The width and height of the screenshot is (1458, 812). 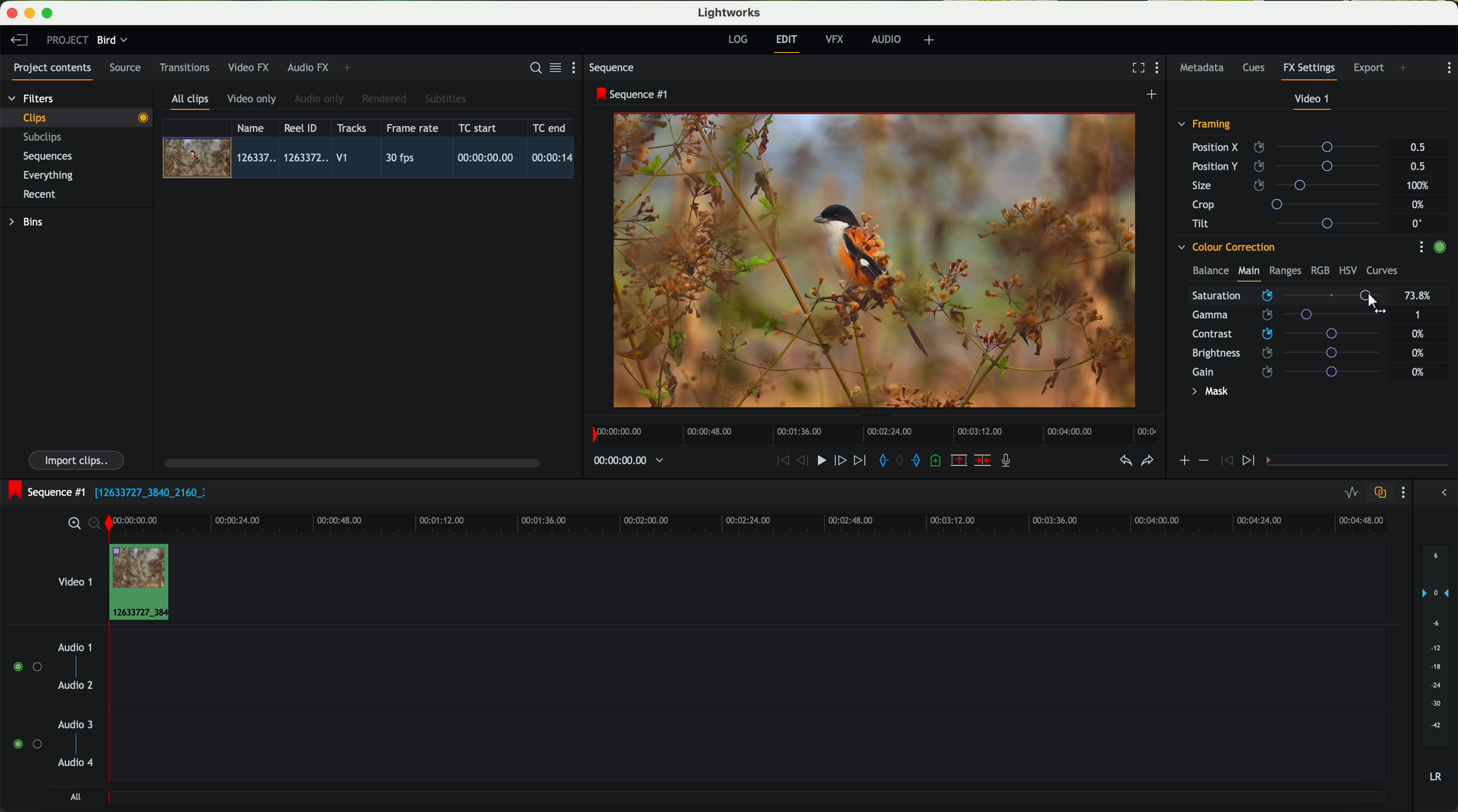 What do you see at coordinates (737, 40) in the screenshot?
I see `log` at bounding box center [737, 40].